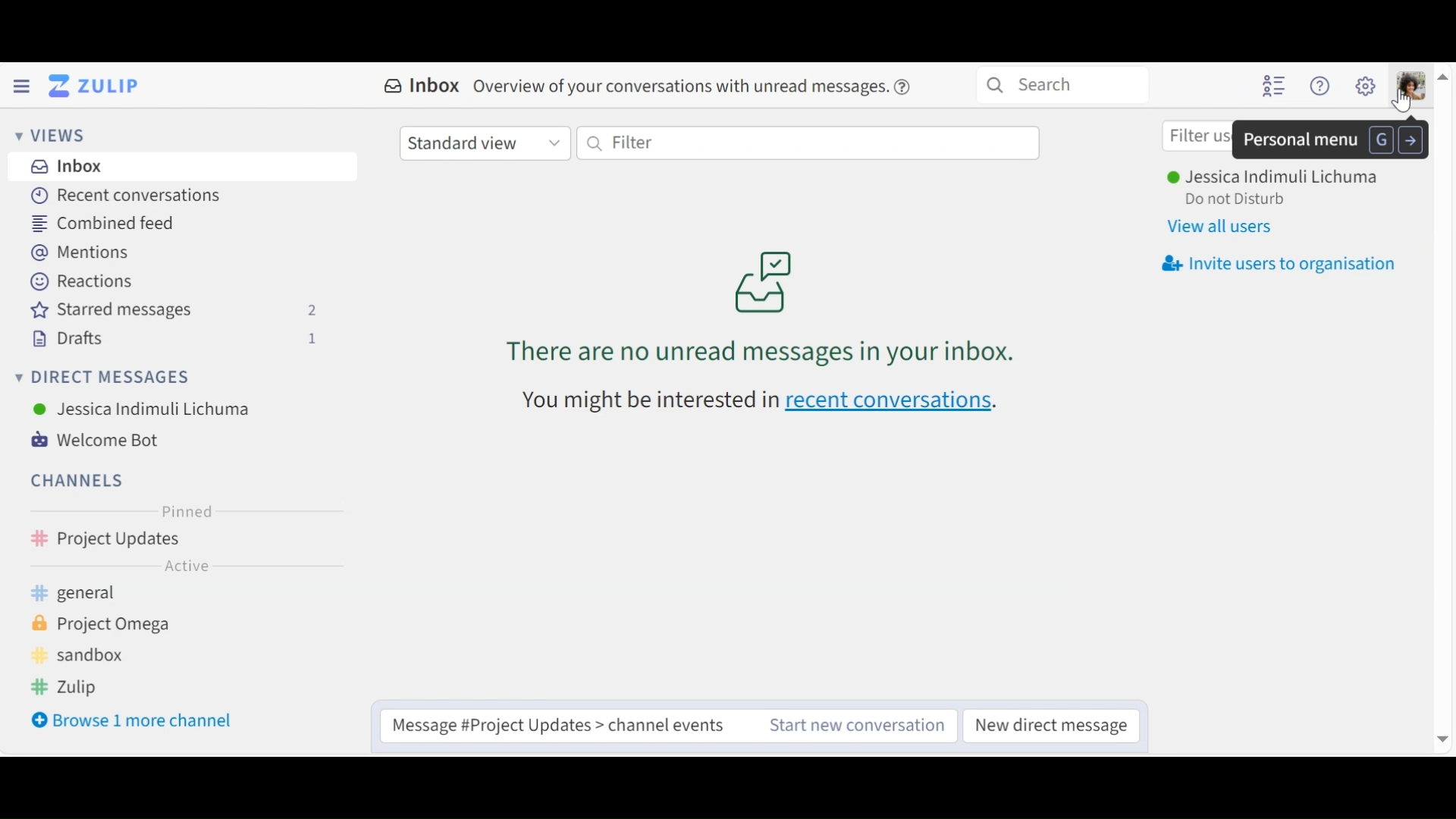  I want to click on Welcome Bot, so click(102, 441).